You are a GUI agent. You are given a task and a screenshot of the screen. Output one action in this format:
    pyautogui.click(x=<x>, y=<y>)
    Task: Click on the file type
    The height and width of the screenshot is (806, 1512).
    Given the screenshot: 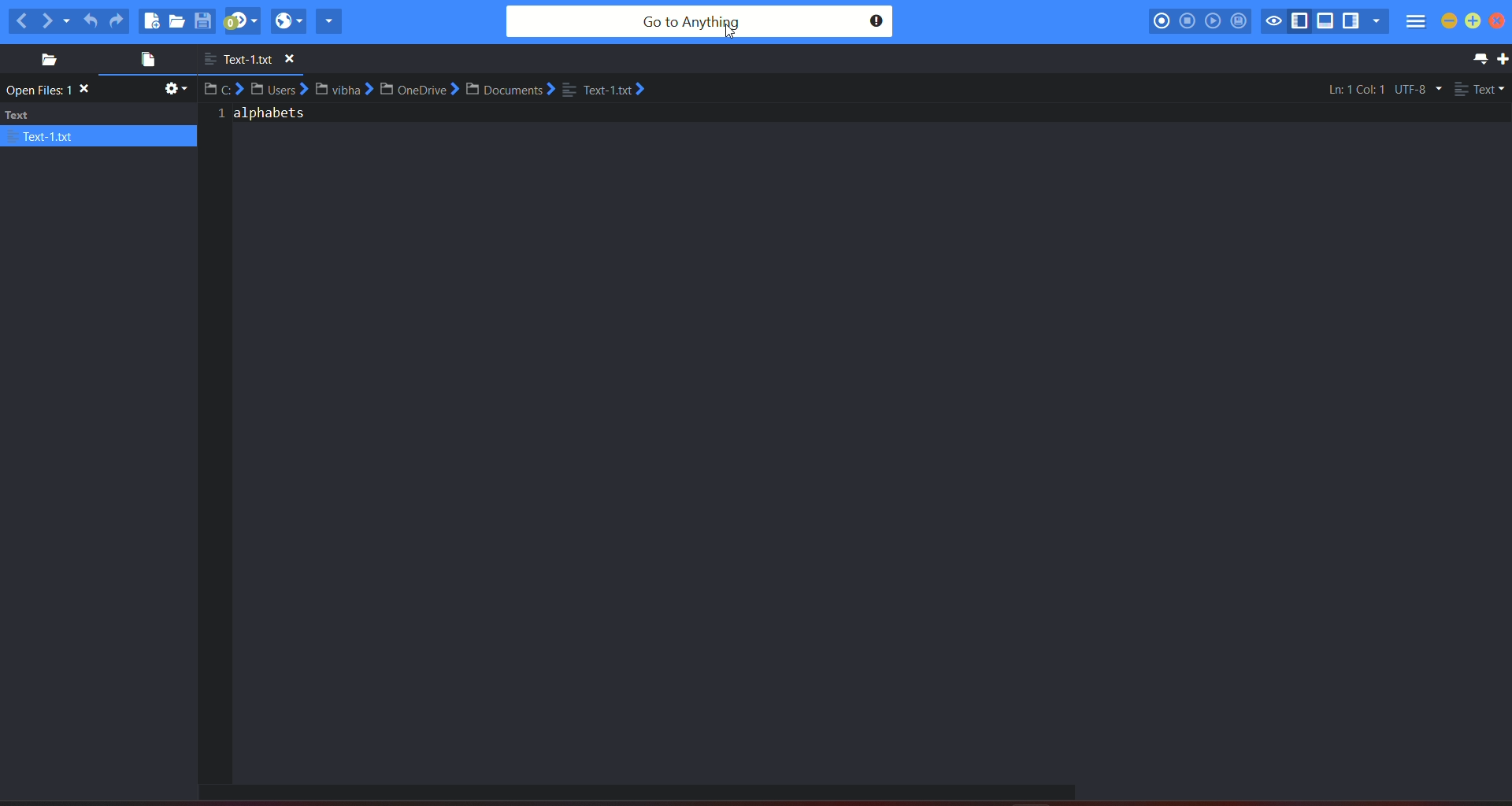 What is the action you would take?
    pyautogui.click(x=1480, y=91)
    